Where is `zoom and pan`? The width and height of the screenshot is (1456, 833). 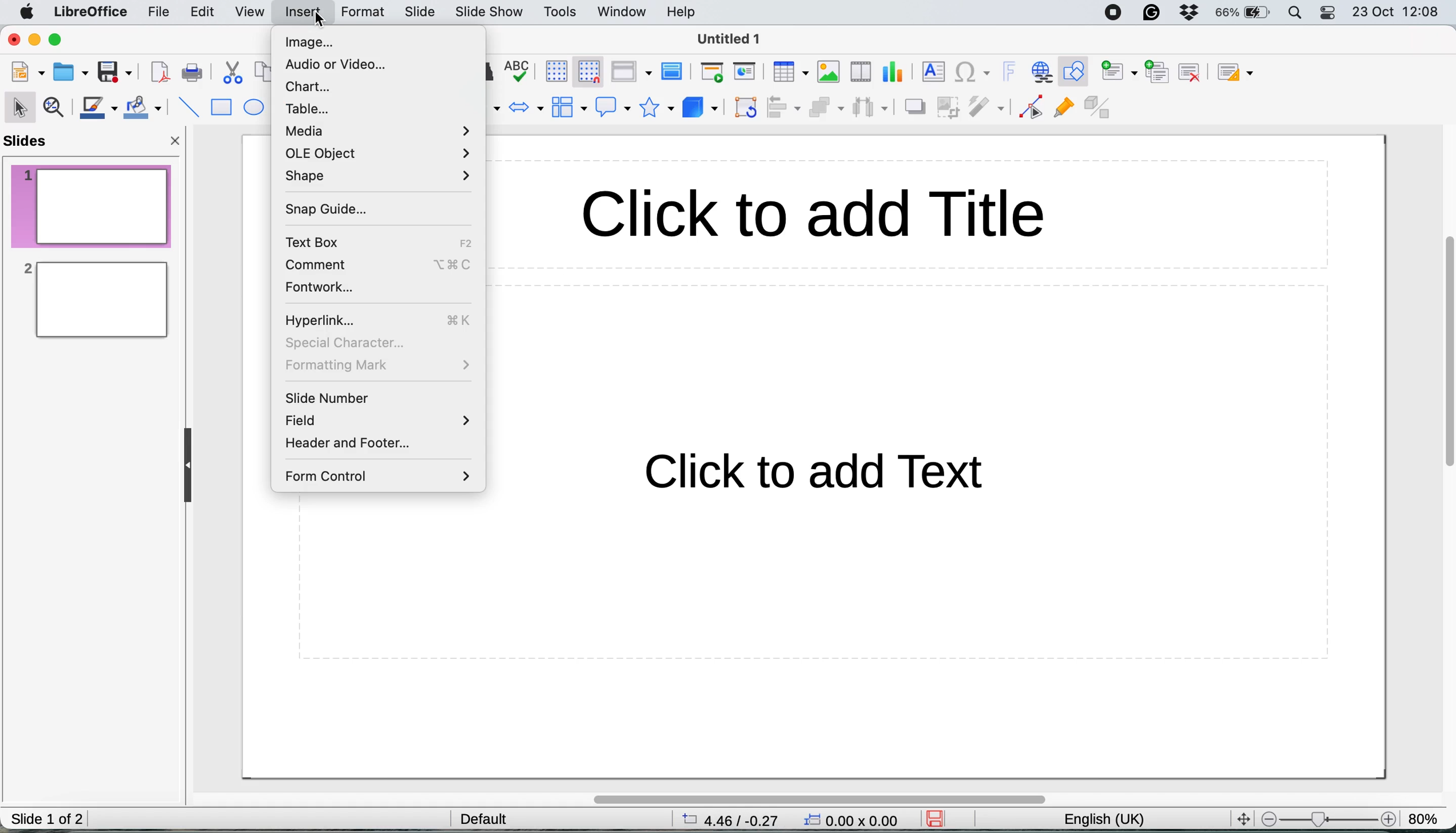 zoom and pan is located at coordinates (56, 109).